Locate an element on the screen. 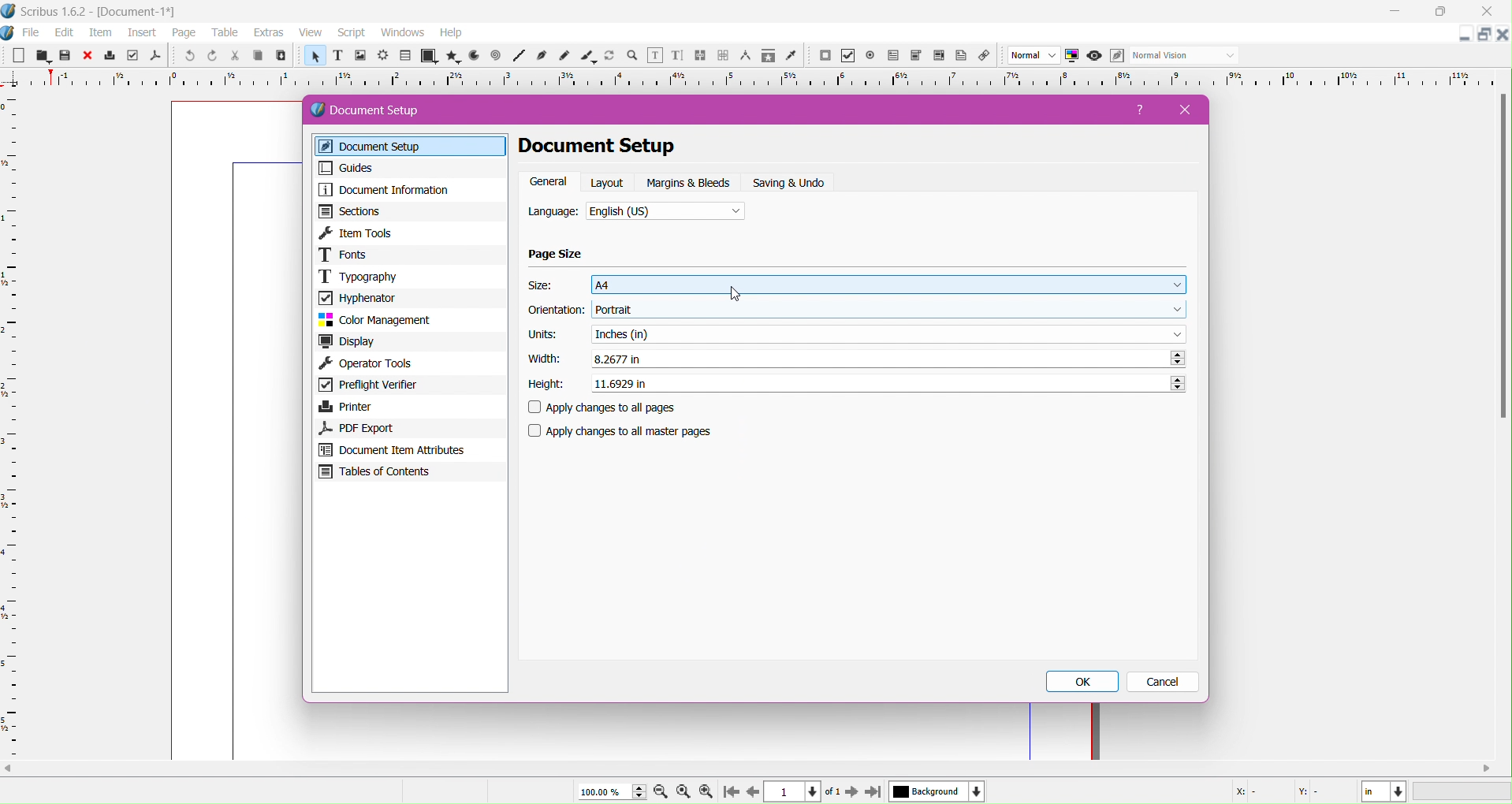  Scroll is located at coordinates (752, 767).